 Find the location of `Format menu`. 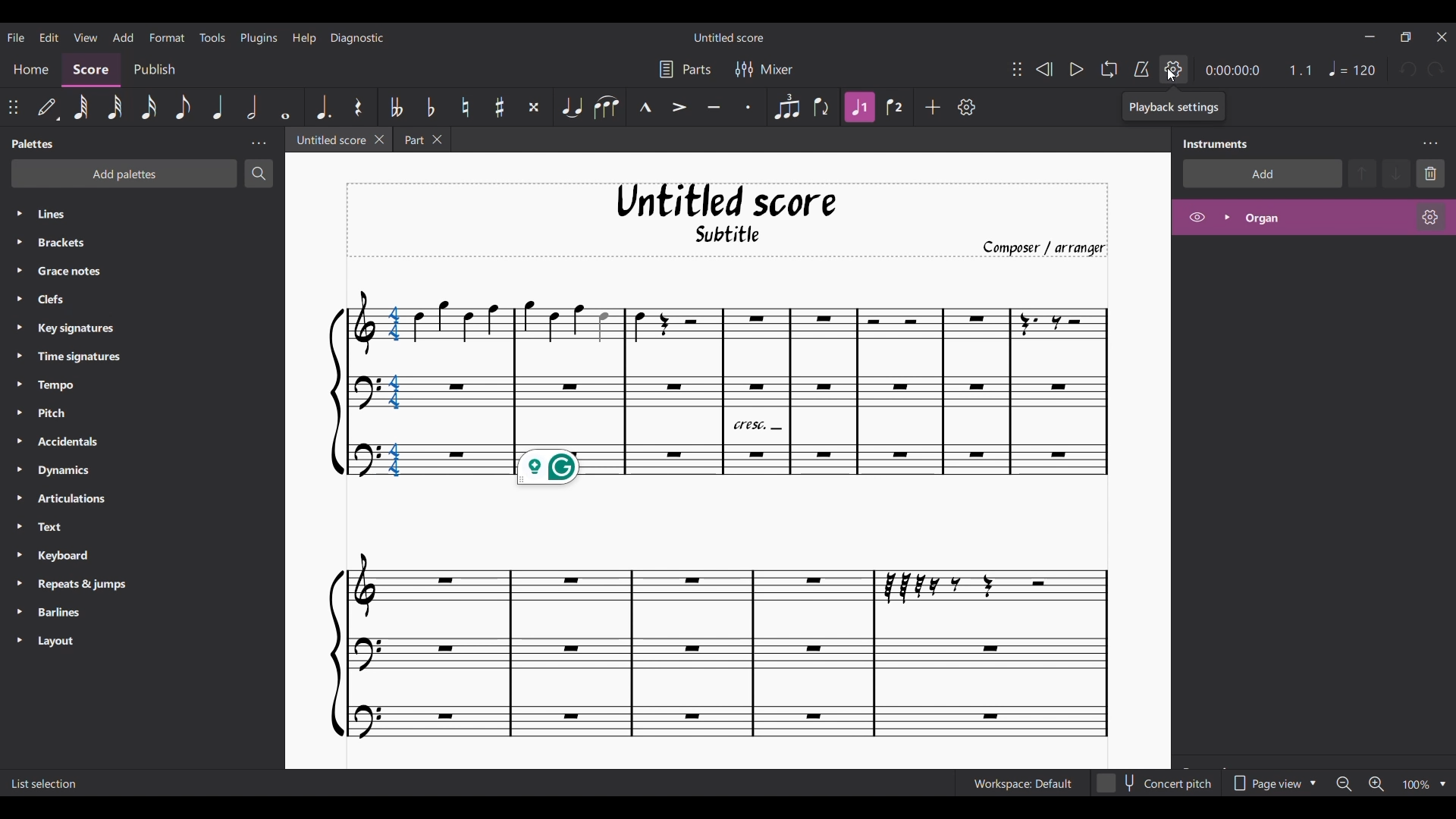

Format menu is located at coordinates (167, 37).